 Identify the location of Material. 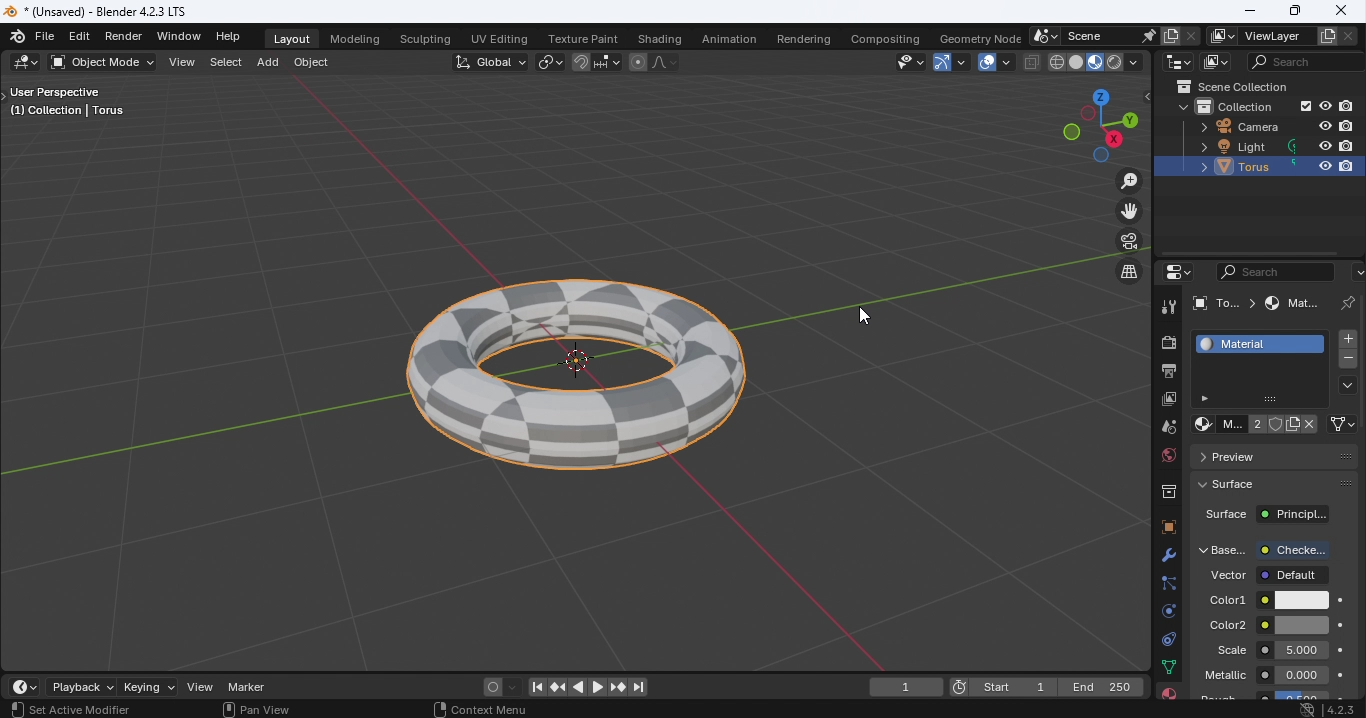
(1172, 690).